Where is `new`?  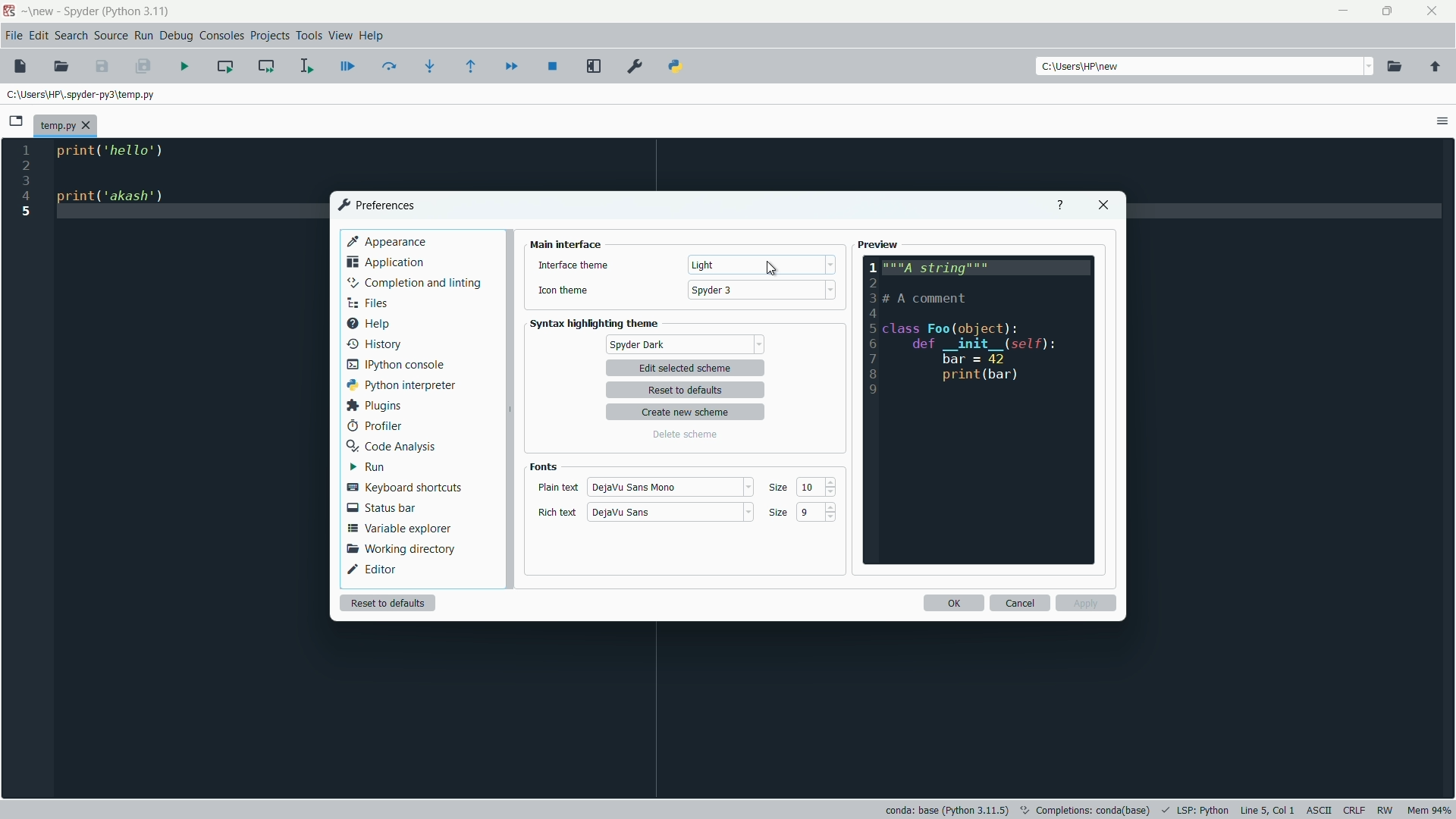 new is located at coordinates (42, 11).